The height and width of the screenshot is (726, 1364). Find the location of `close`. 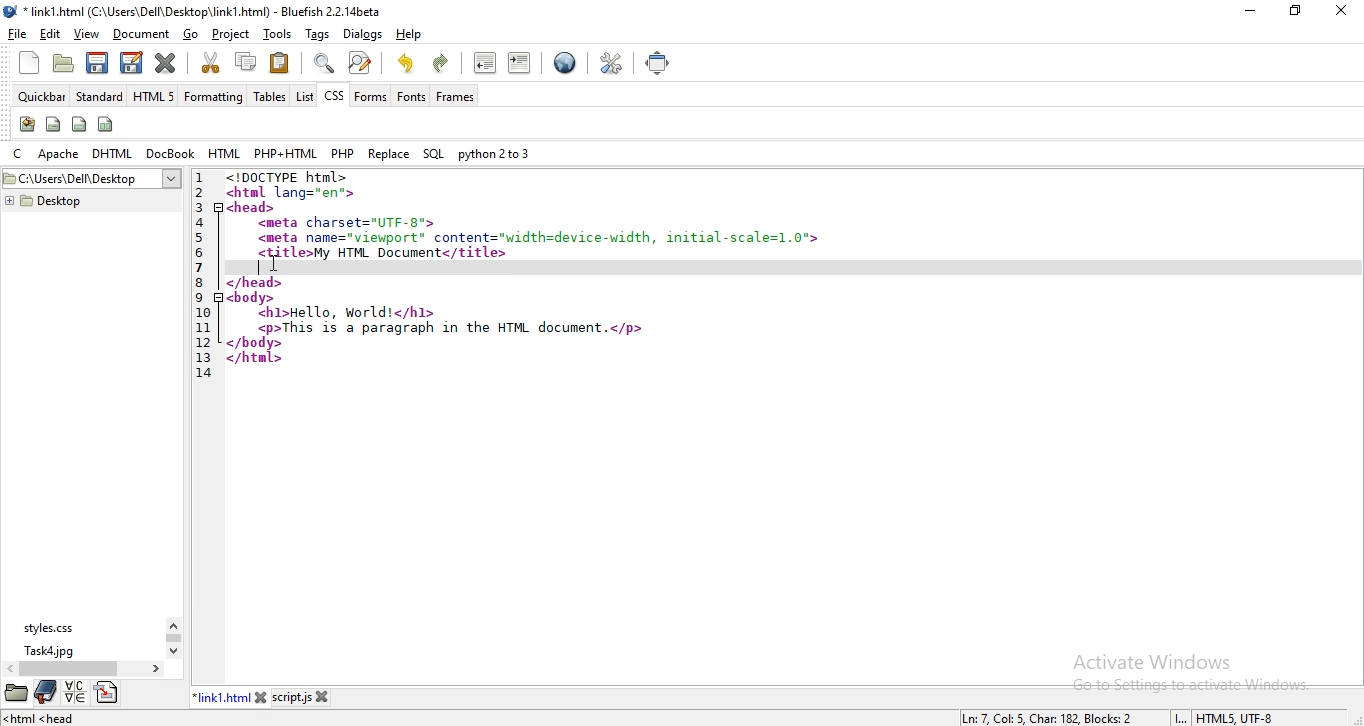

close is located at coordinates (324, 697).